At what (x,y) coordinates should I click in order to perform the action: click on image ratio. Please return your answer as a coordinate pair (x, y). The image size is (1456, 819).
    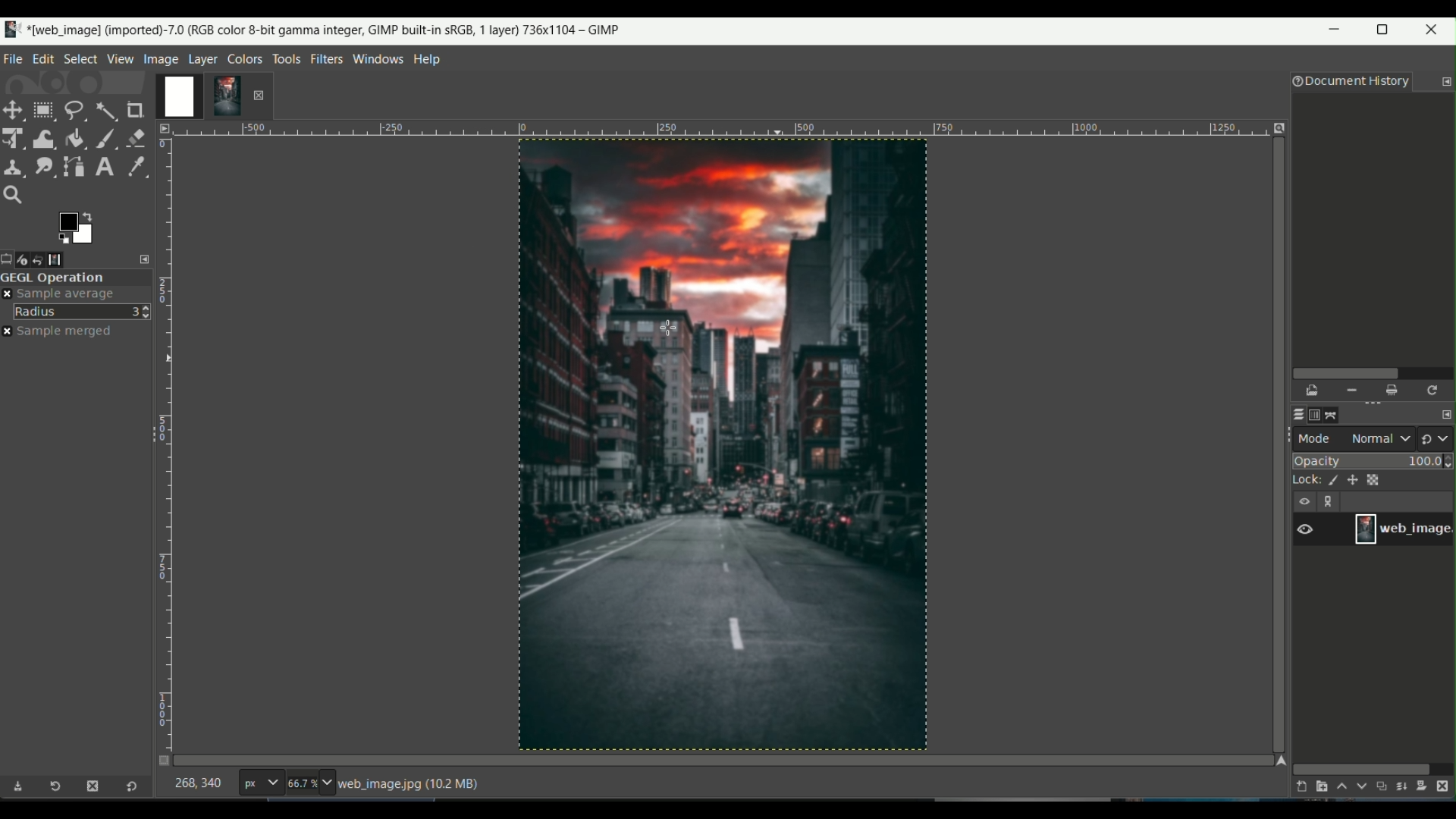
    Looking at the image, I should click on (309, 785).